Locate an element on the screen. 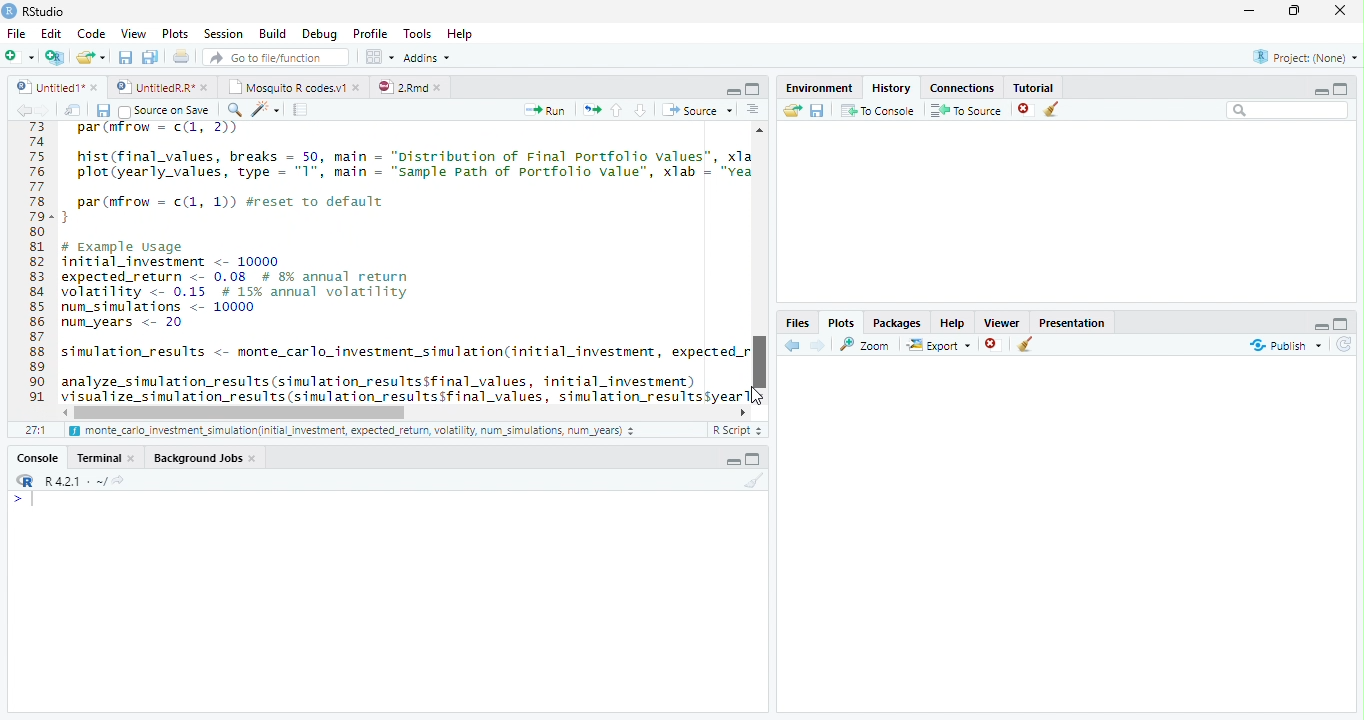 The height and width of the screenshot is (720, 1364). Project: (None) is located at coordinates (1301, 58).